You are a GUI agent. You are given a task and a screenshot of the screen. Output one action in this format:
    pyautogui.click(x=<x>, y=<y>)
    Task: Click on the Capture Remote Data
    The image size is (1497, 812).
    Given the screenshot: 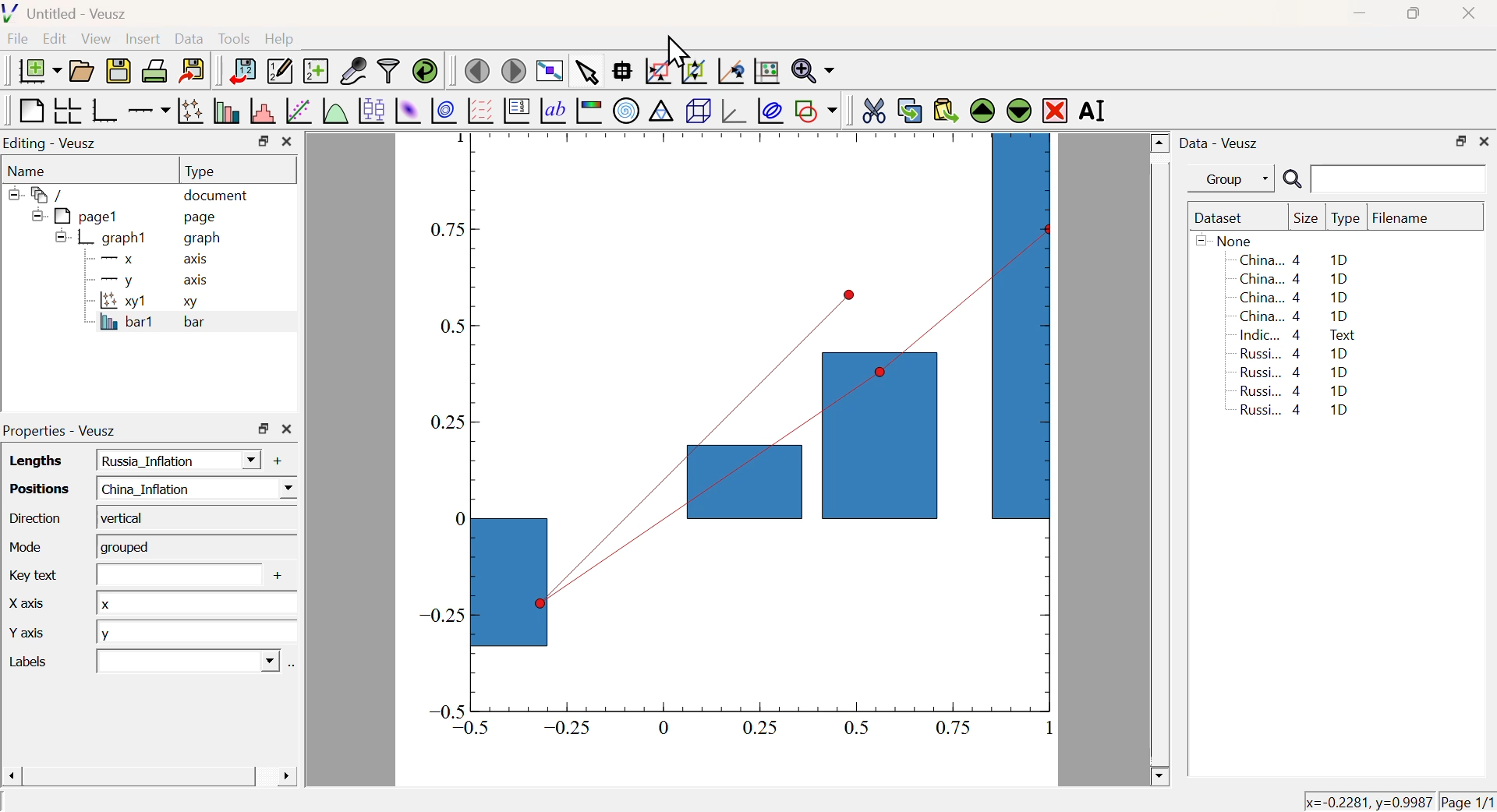 What is the action you would take?
    pyautogui.click(x=354, y=69)
    